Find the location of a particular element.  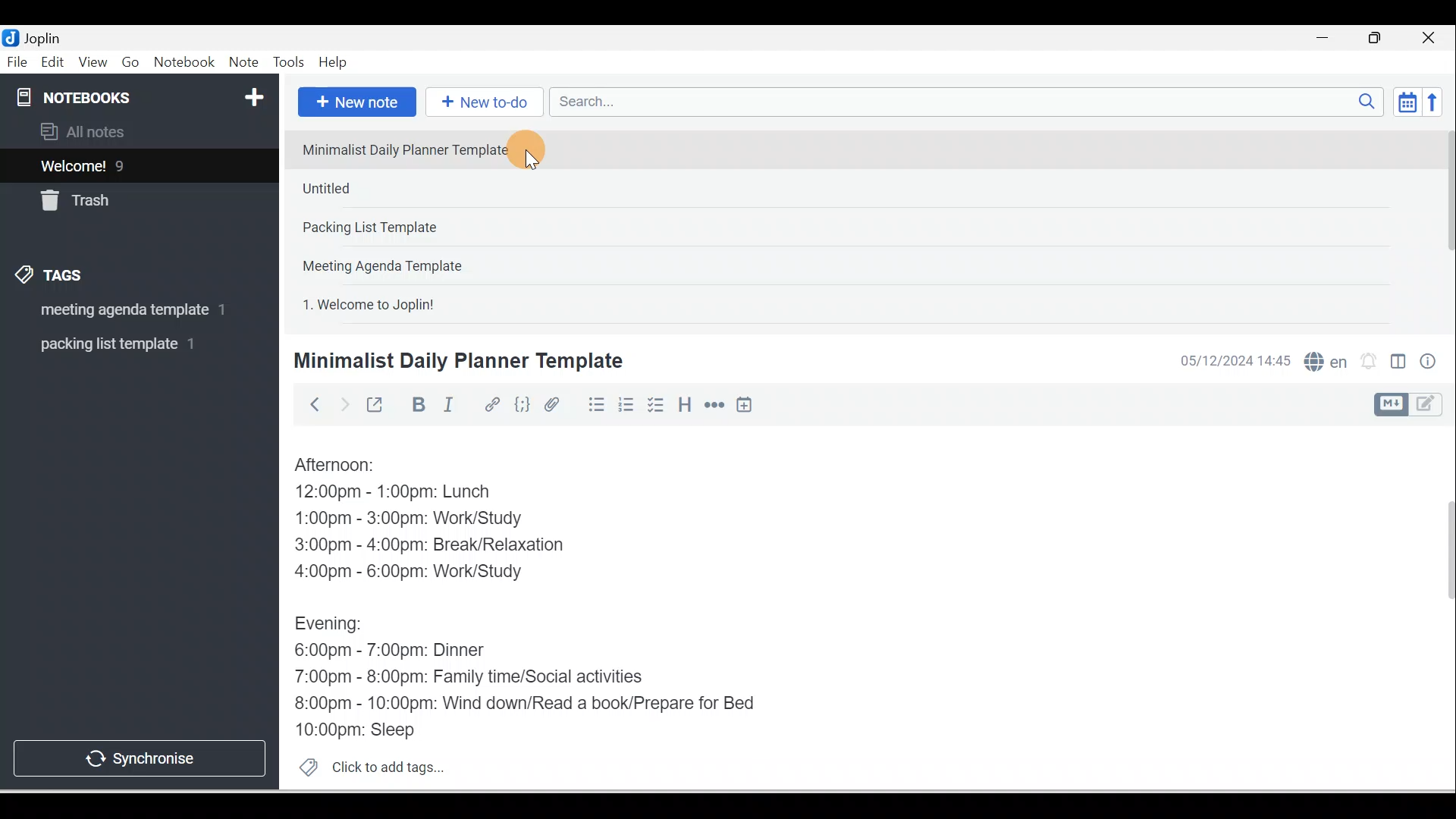

Hyperlink is located at coordinates (491, 406).